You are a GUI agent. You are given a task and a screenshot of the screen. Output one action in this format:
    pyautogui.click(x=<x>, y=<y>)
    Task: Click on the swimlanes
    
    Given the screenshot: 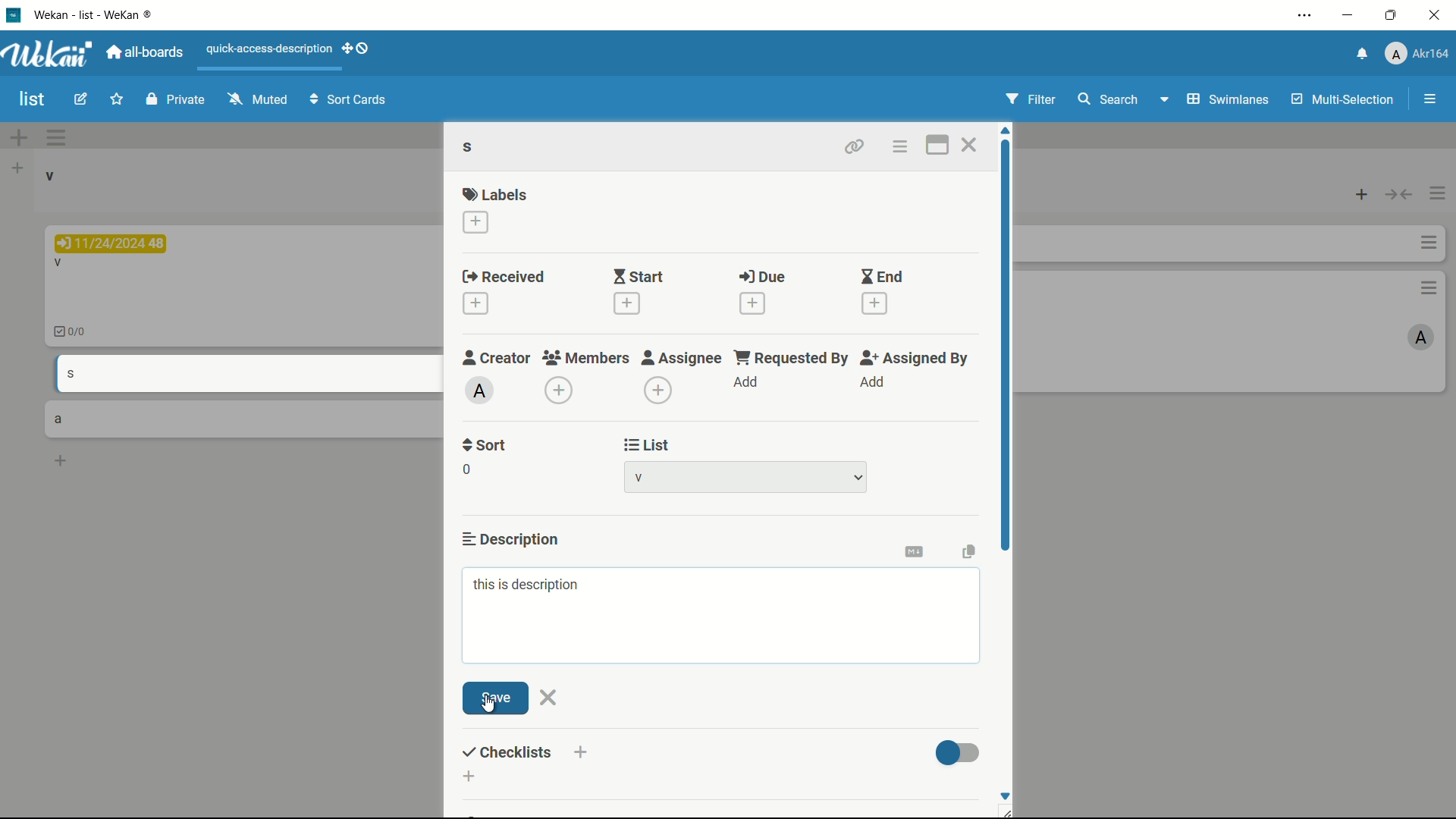 What is the action you would take?
    pyautogui.click(x=1229, y=100)
    